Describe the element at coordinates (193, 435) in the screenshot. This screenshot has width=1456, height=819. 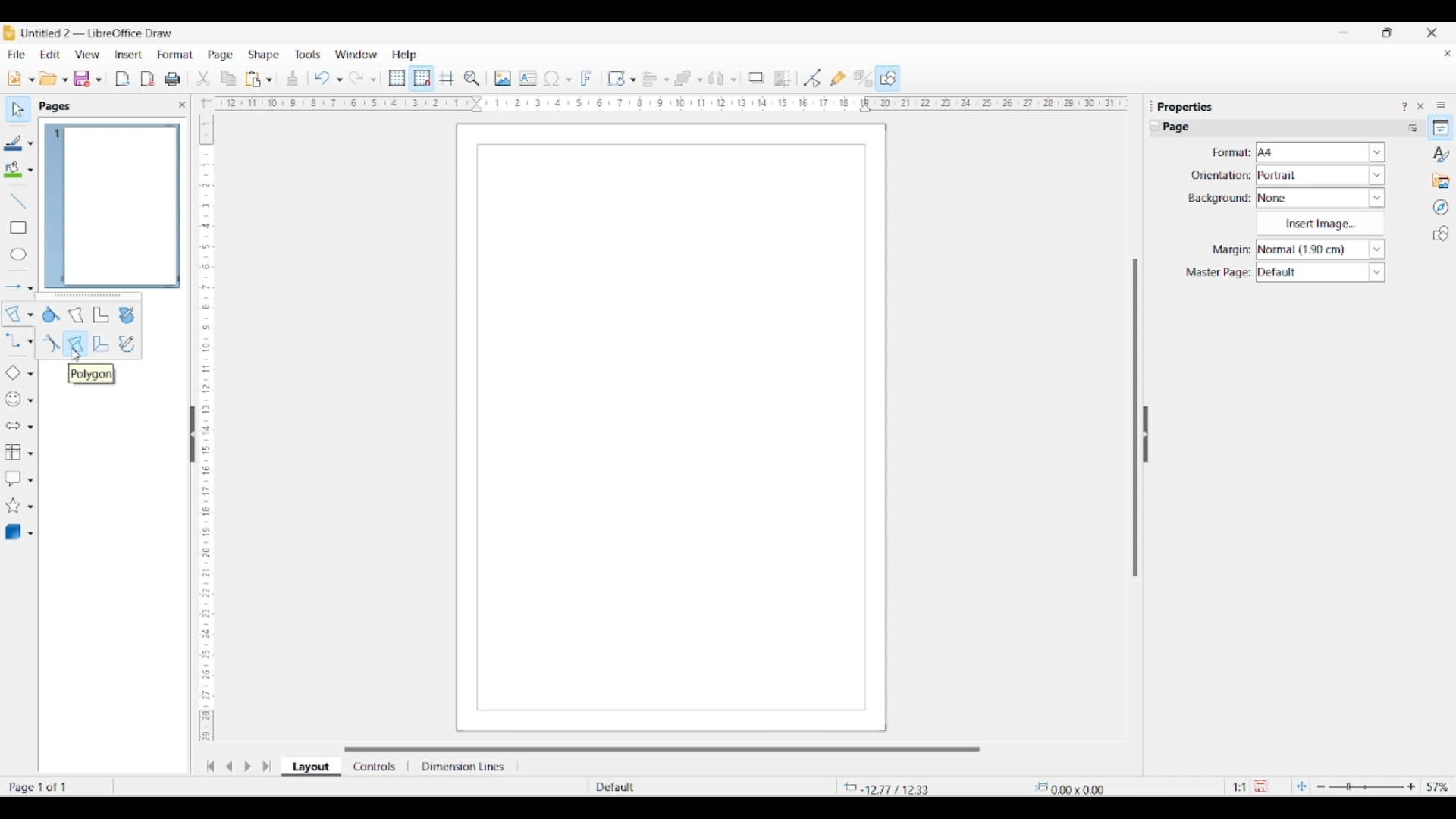
I see `Hide left sidebar` at that location.